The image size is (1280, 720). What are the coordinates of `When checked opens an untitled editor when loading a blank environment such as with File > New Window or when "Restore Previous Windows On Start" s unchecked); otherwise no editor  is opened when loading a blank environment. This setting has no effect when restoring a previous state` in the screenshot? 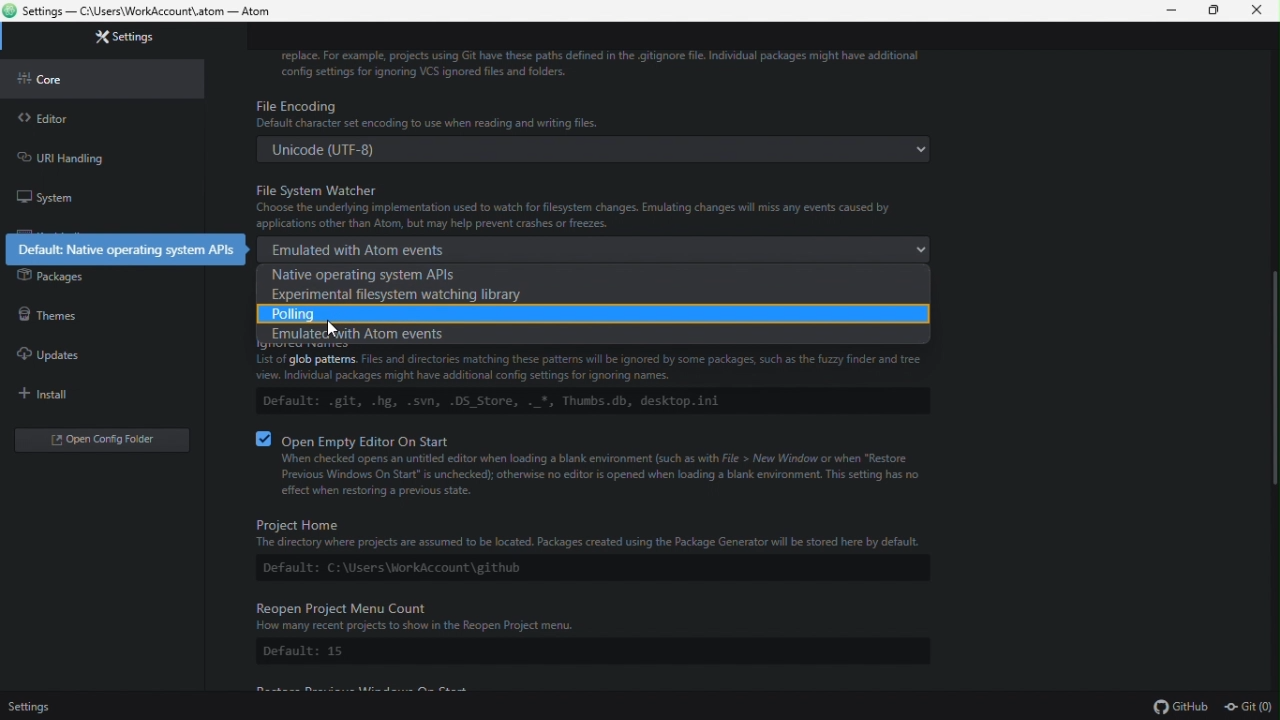 It's located at (611, 477).